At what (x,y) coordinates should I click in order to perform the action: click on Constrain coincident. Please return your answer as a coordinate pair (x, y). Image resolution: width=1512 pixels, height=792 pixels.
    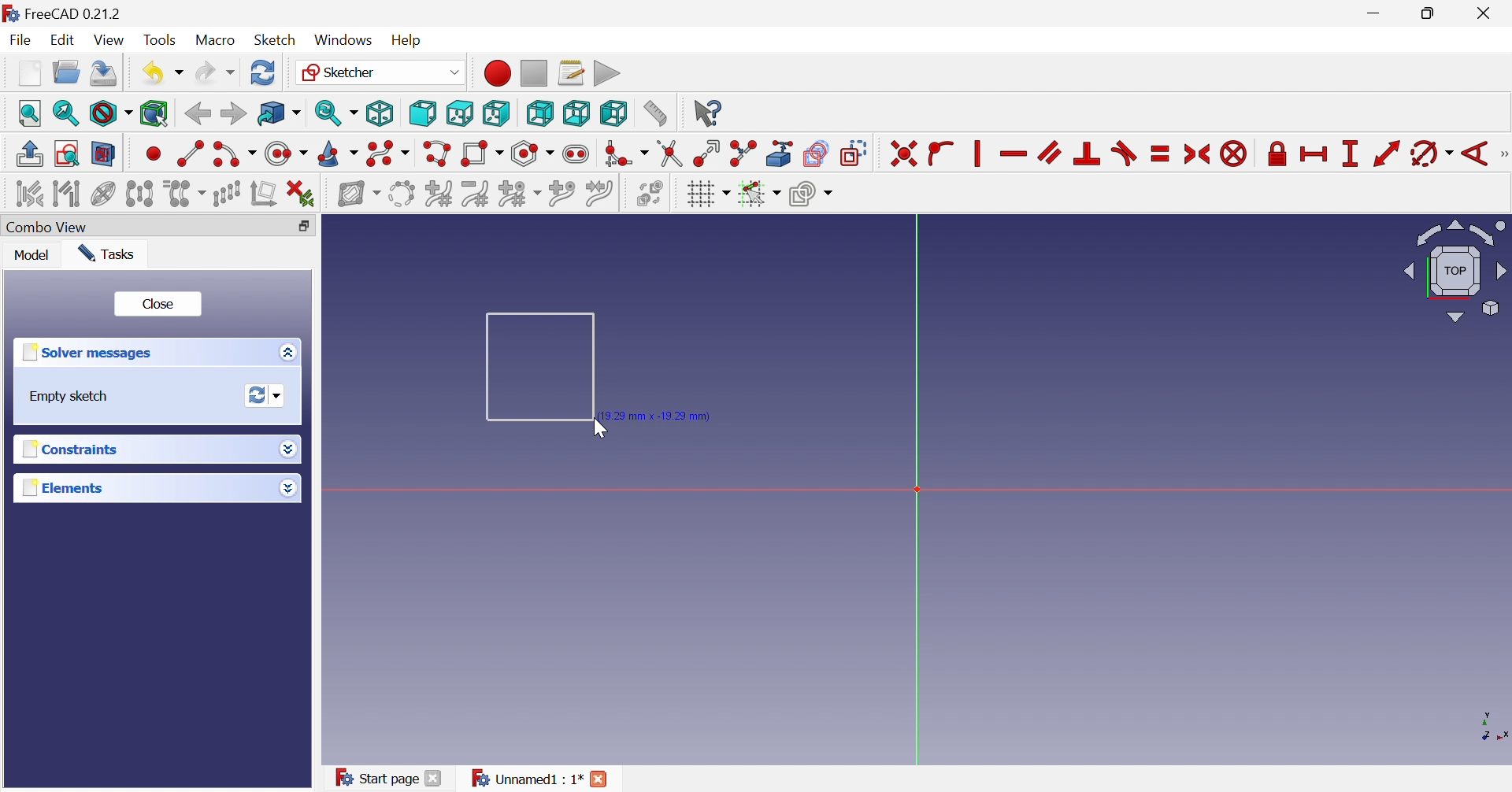
    Looking at the image, I should click on (903, 154).